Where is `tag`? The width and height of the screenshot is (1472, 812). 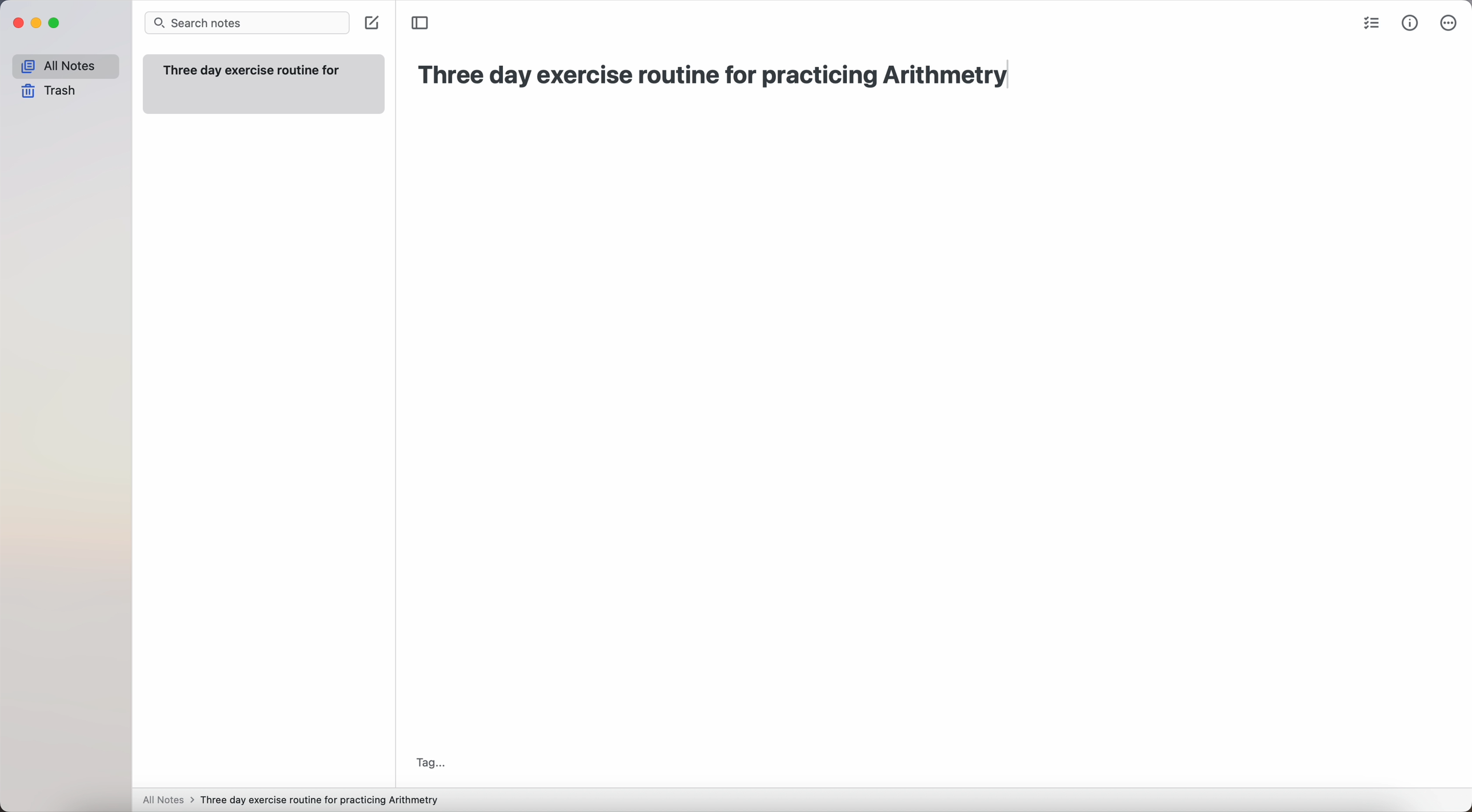
tag is located at coordinates (434, 763).